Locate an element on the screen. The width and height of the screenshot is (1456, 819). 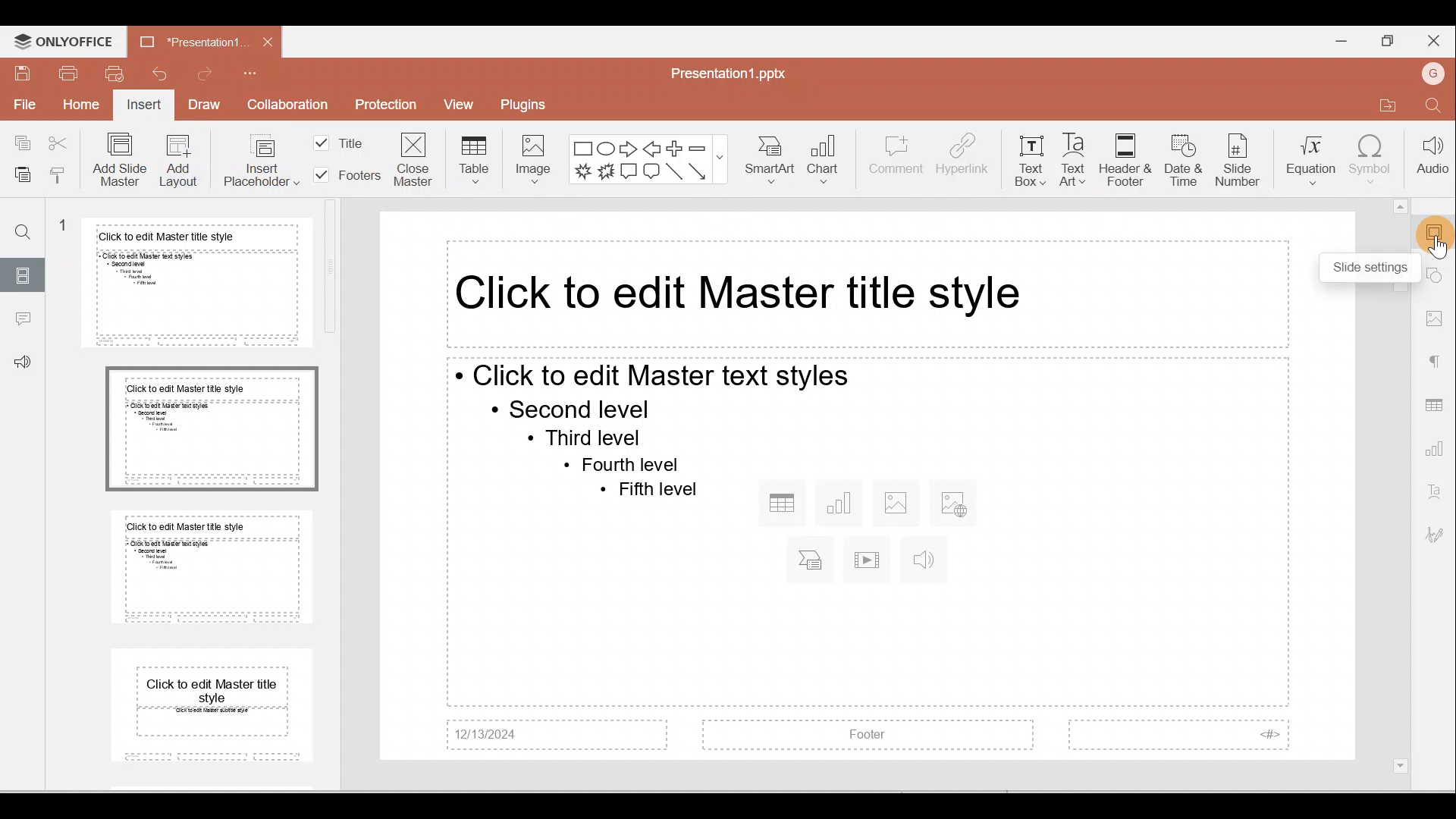
Arrow is located at coordinates (699, 171).